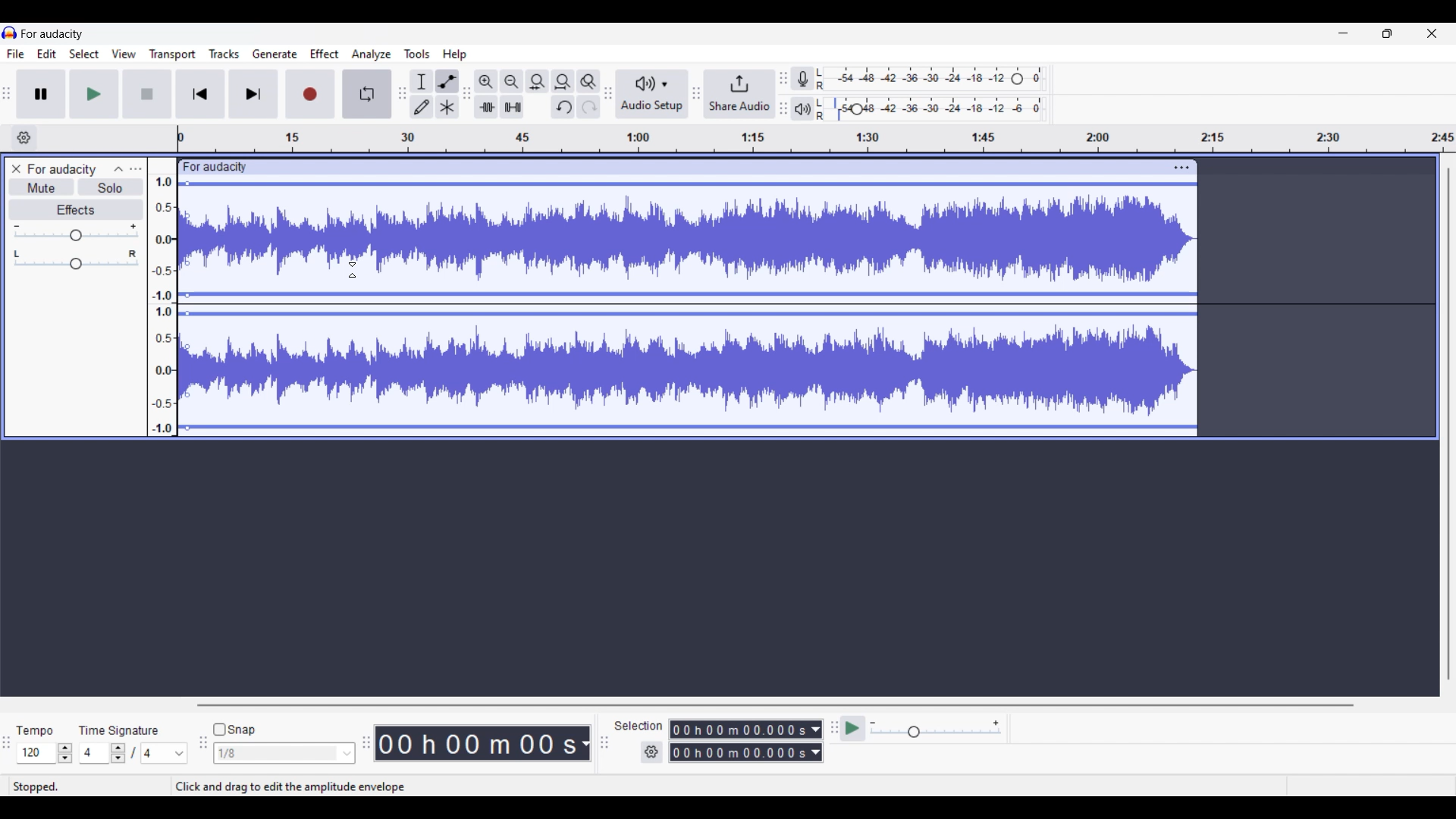  I want to click on logo, so click(10, 33).